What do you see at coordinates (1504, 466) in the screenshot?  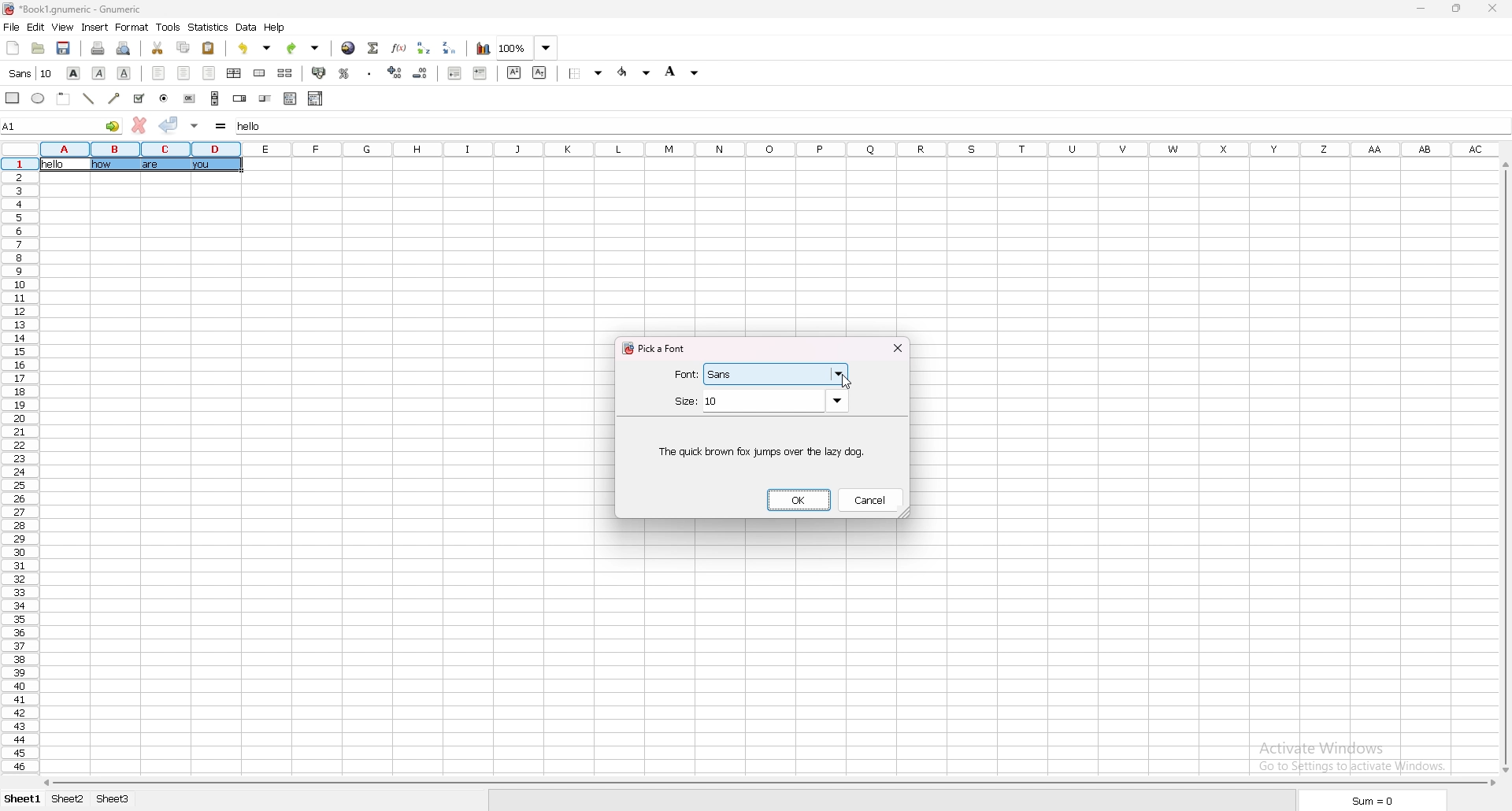 I see `scroll bar` at bounding box center [1504, 466].